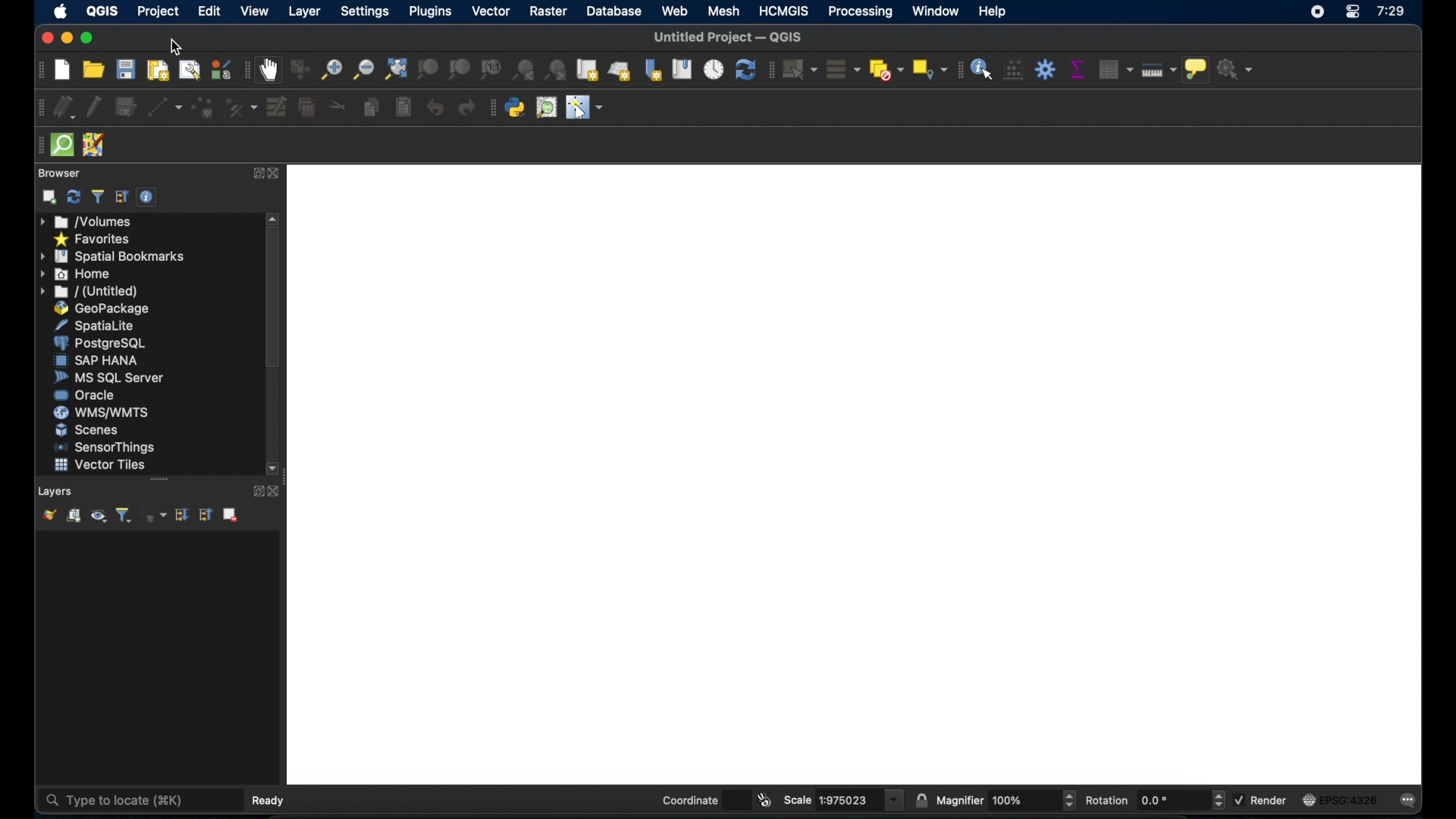 The image size is (1456, 819). I want to click on copy features, so click(370, 108).